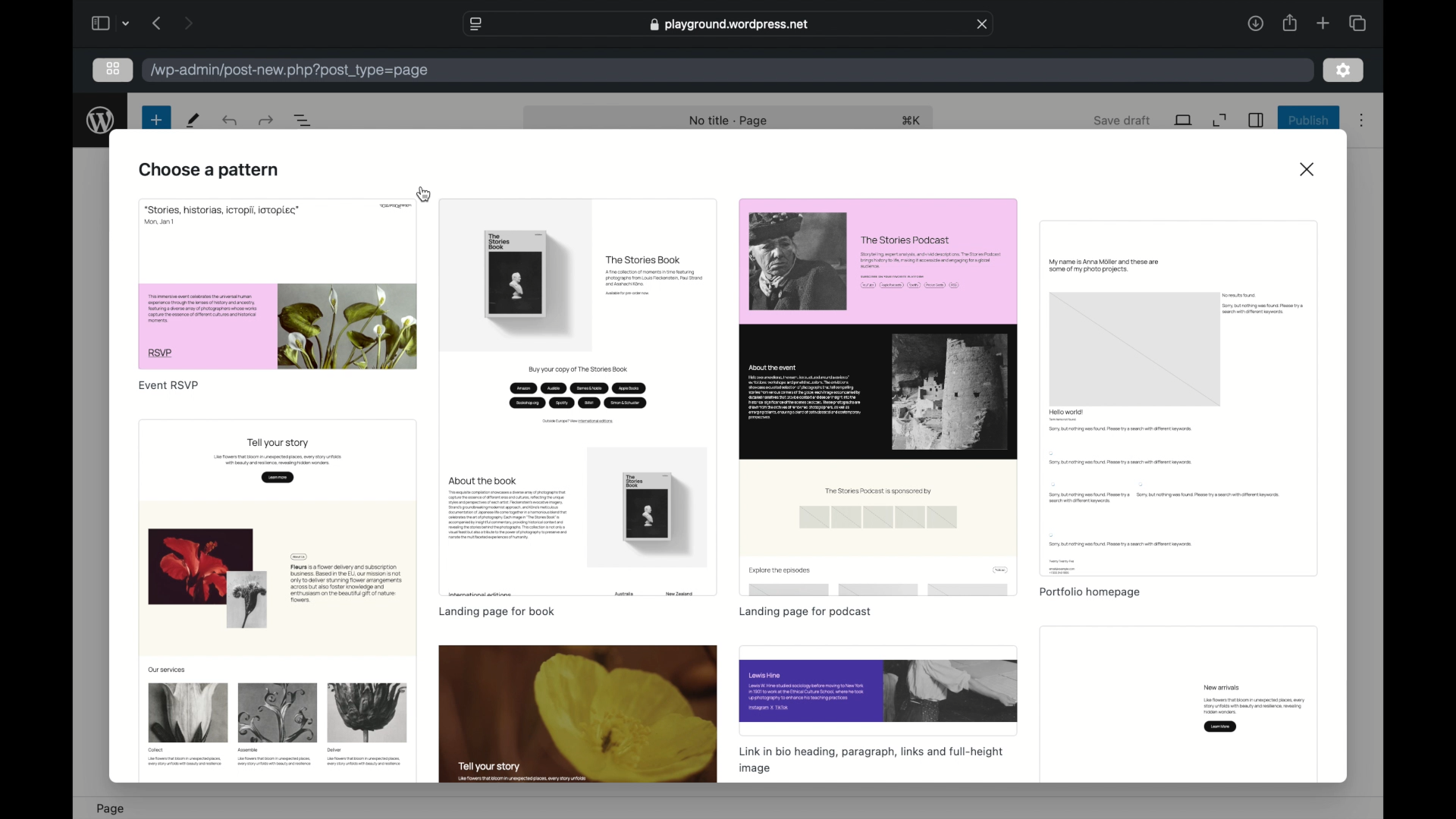  Describe the element at coordinates (99, 23) in the screenshot. I see `sidebar` at that location.